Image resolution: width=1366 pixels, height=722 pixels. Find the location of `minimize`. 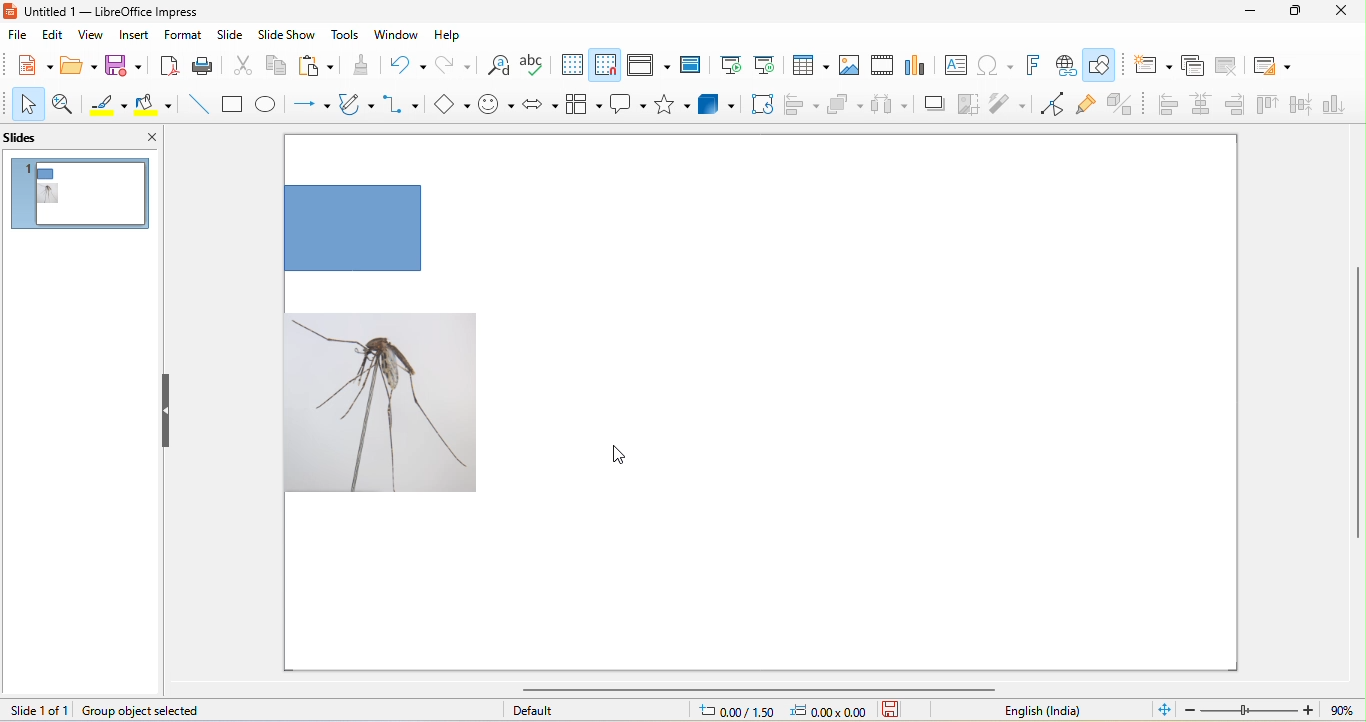

minimize is located at coordinates (1252, 12).